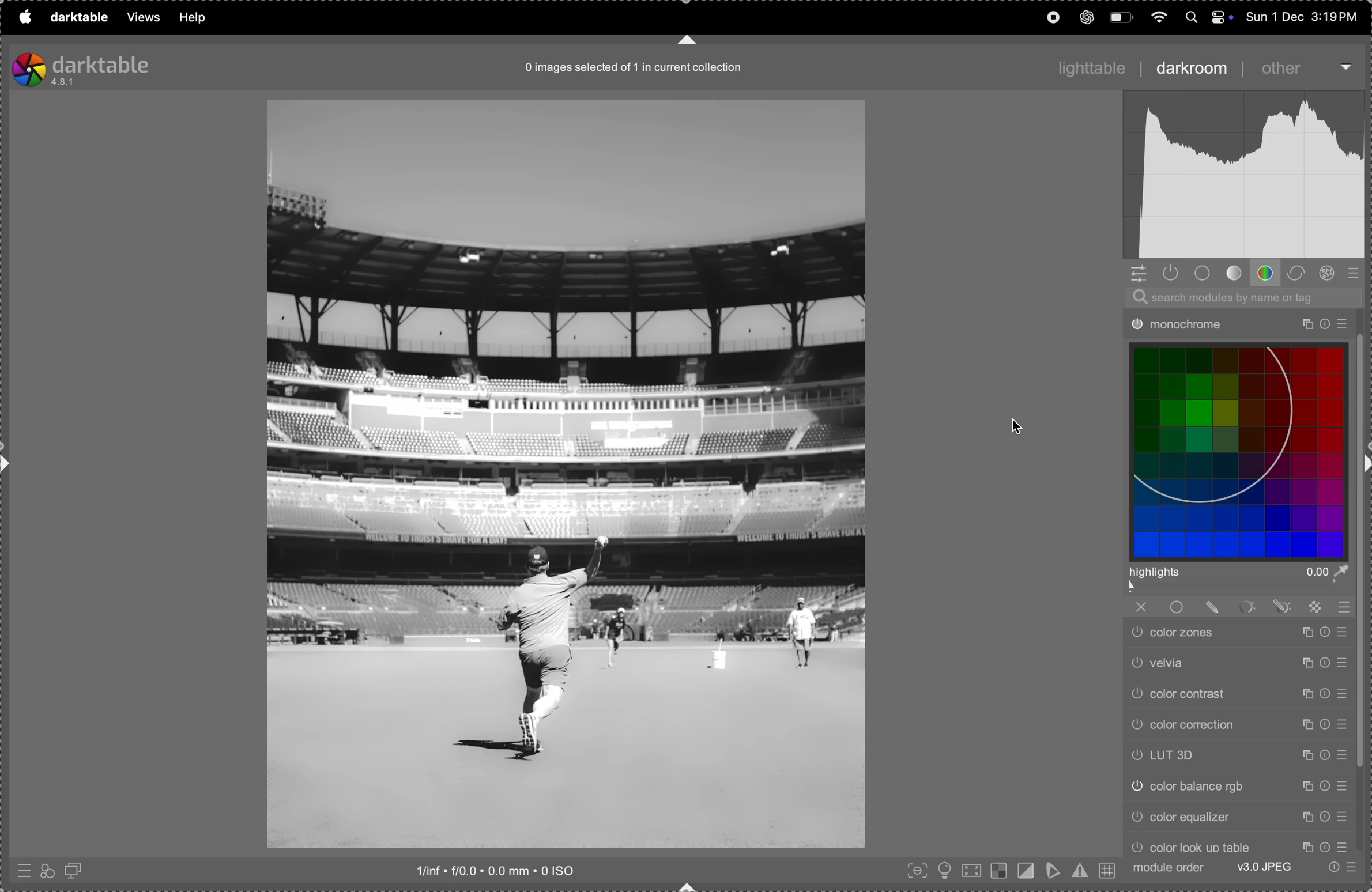 The image size is (1372, 892). Describe the element at coordinates (1346, 65) in the screenshot. I see `options` at that location.